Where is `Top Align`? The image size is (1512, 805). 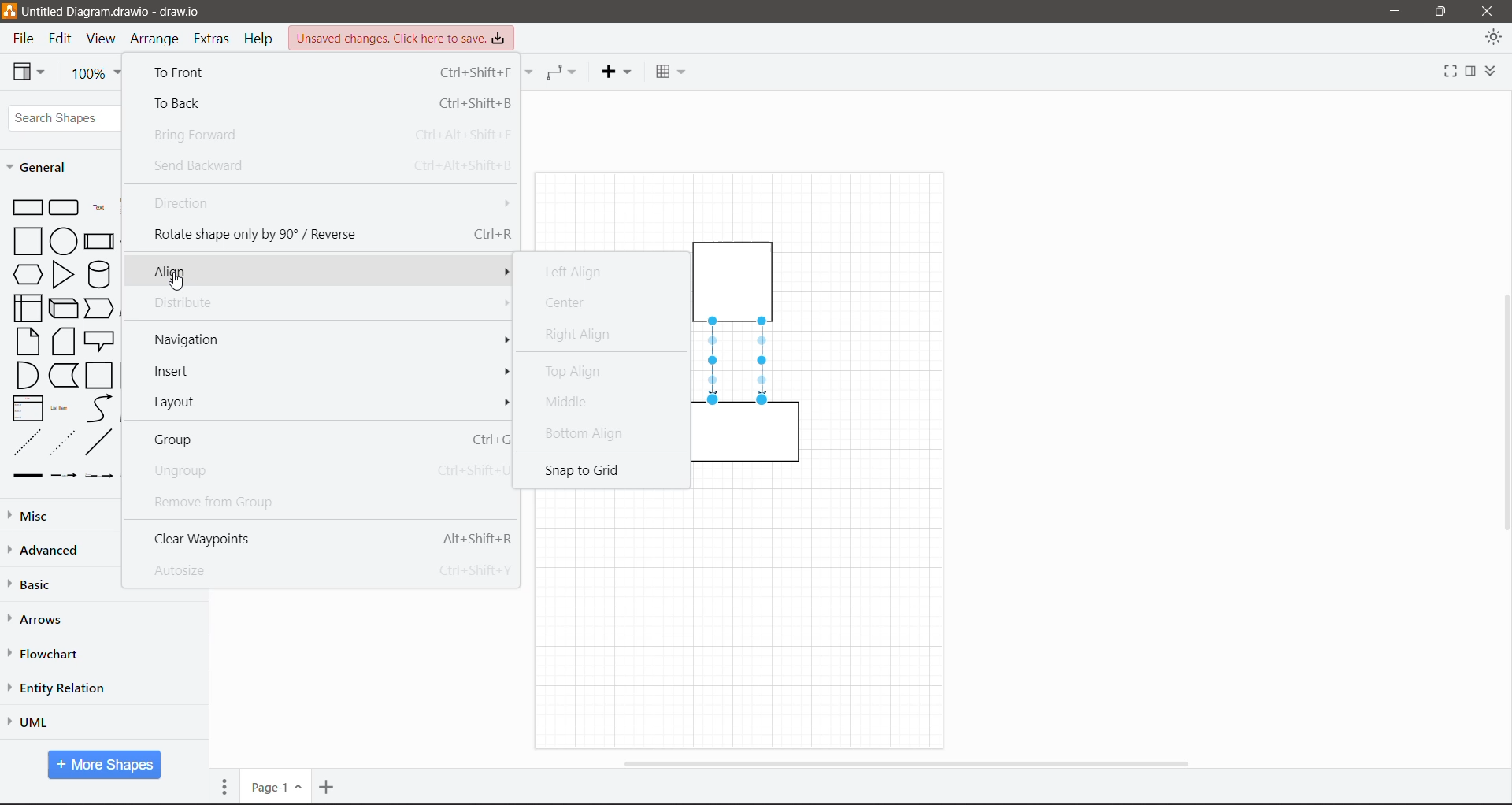 Top Align is located at coordinates (580, 373).